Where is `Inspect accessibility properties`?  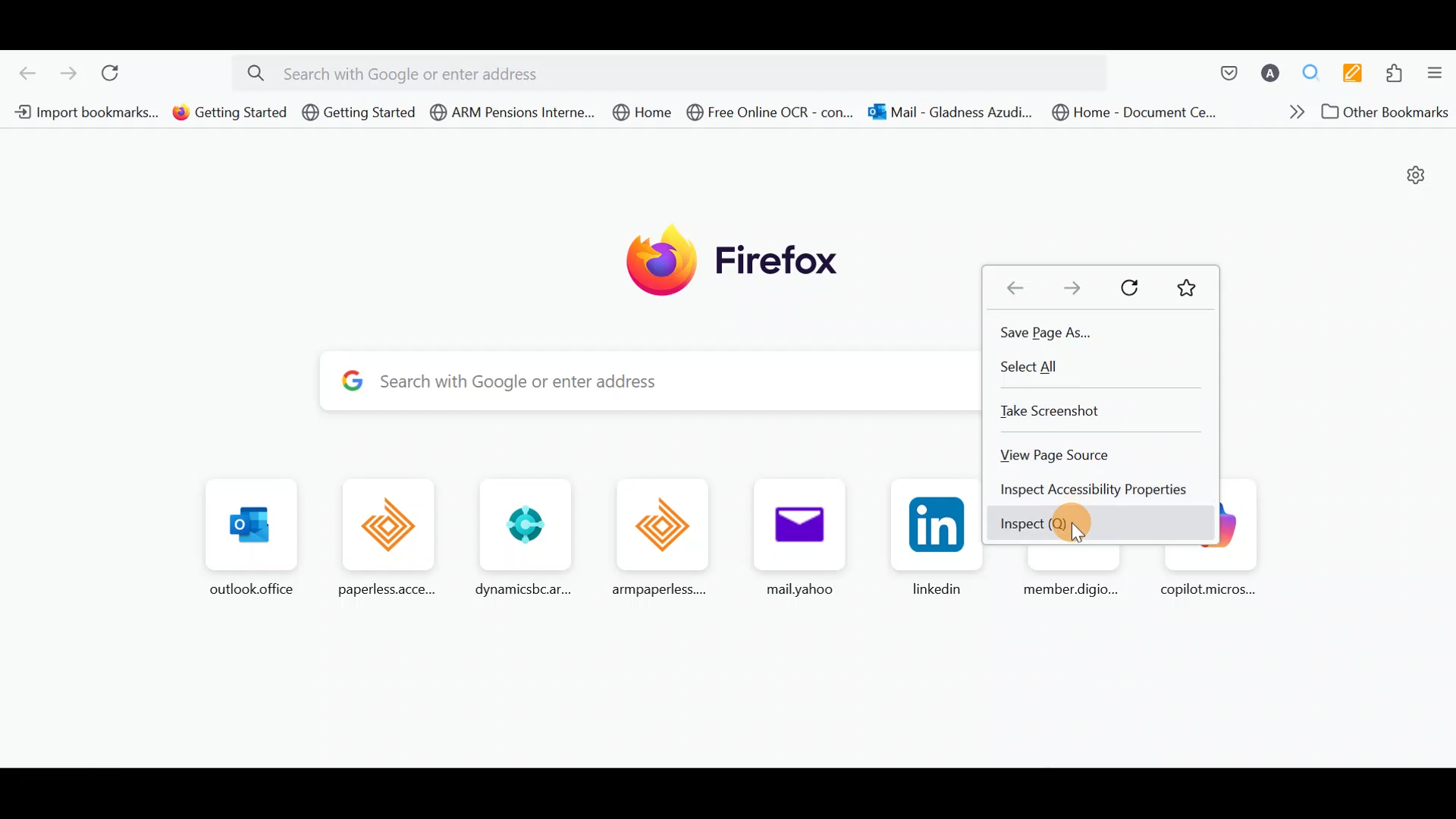
Inspect accessibility properties is located at coordinates (1093, 488).